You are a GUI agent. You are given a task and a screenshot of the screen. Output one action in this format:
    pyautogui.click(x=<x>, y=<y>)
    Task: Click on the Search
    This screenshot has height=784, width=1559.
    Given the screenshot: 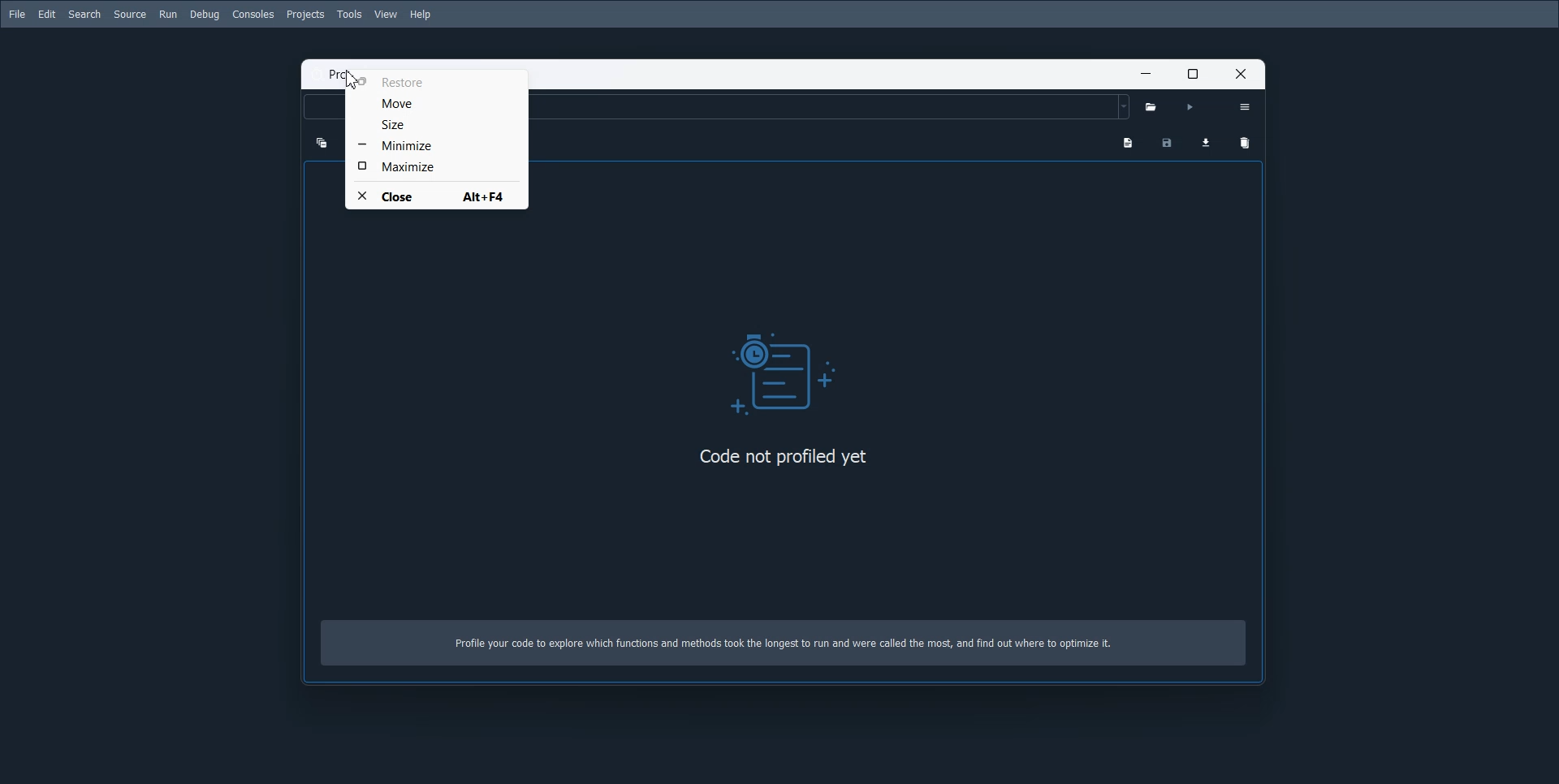 What is the action you would take?
    pyautogui.click(x=85, y=14)
    